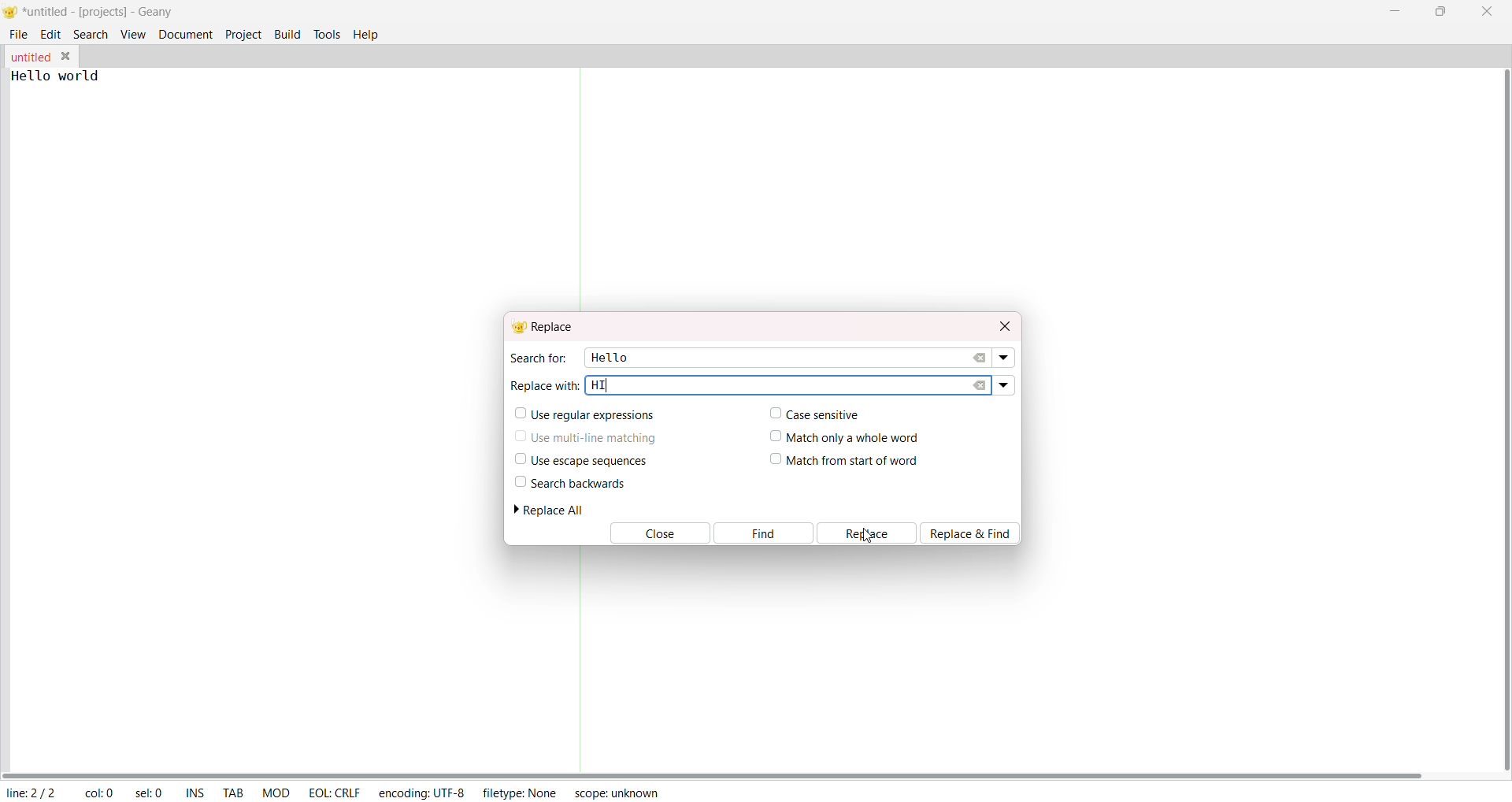  Describe the element at coordinates (113, 12) in the screenshot. I see `*untitled-[projects]-Geany` at that location.